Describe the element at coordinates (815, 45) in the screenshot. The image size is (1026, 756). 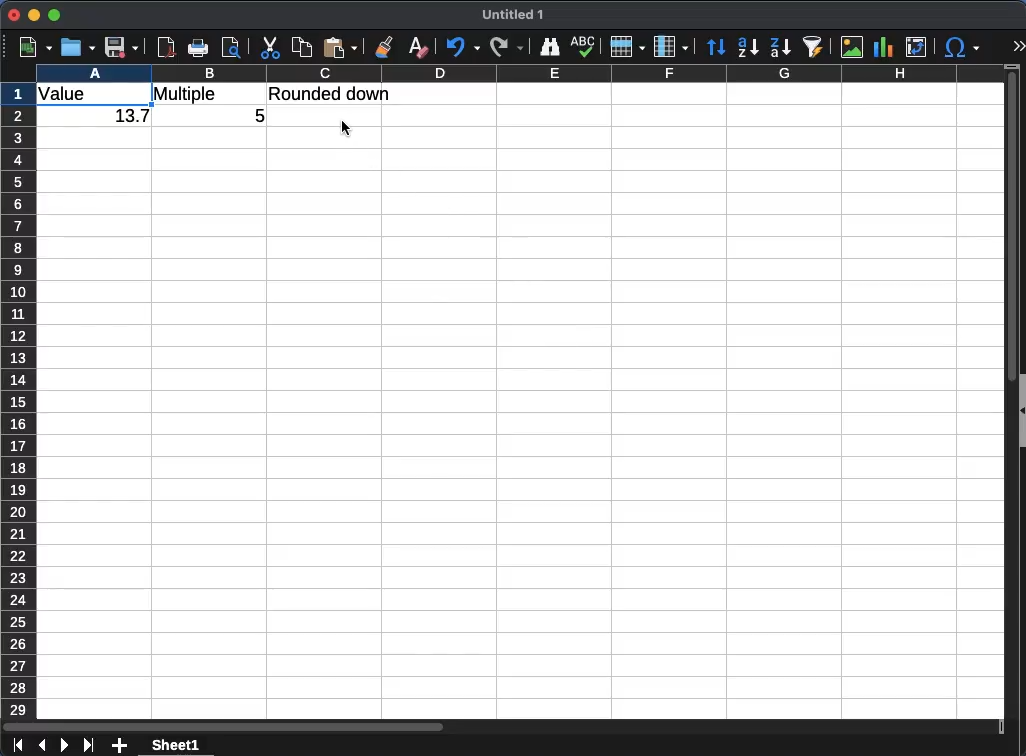
I see `filter` at that location.